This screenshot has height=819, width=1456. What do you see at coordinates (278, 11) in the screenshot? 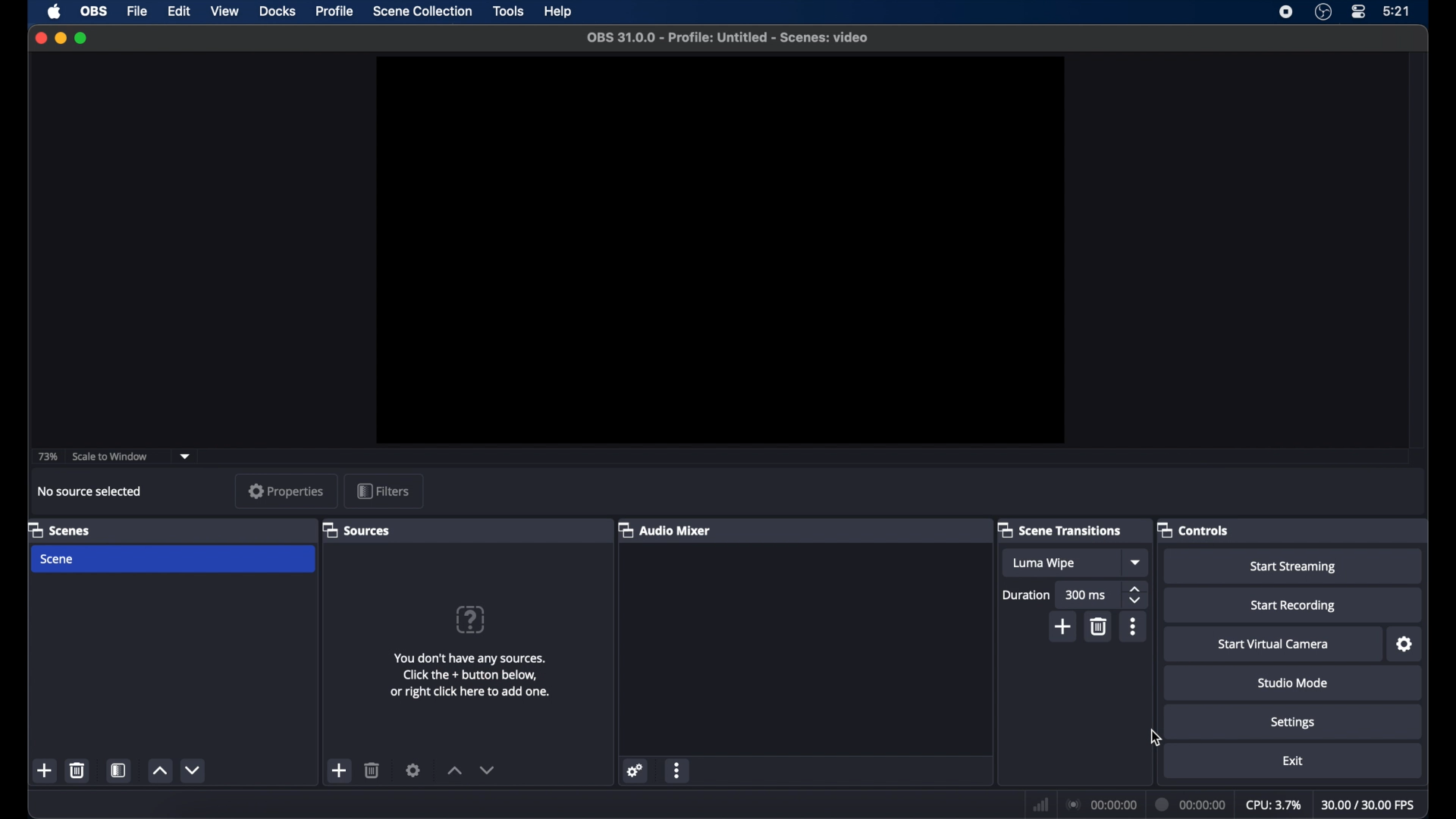
I see `docks` at bounding box center [278, 11].